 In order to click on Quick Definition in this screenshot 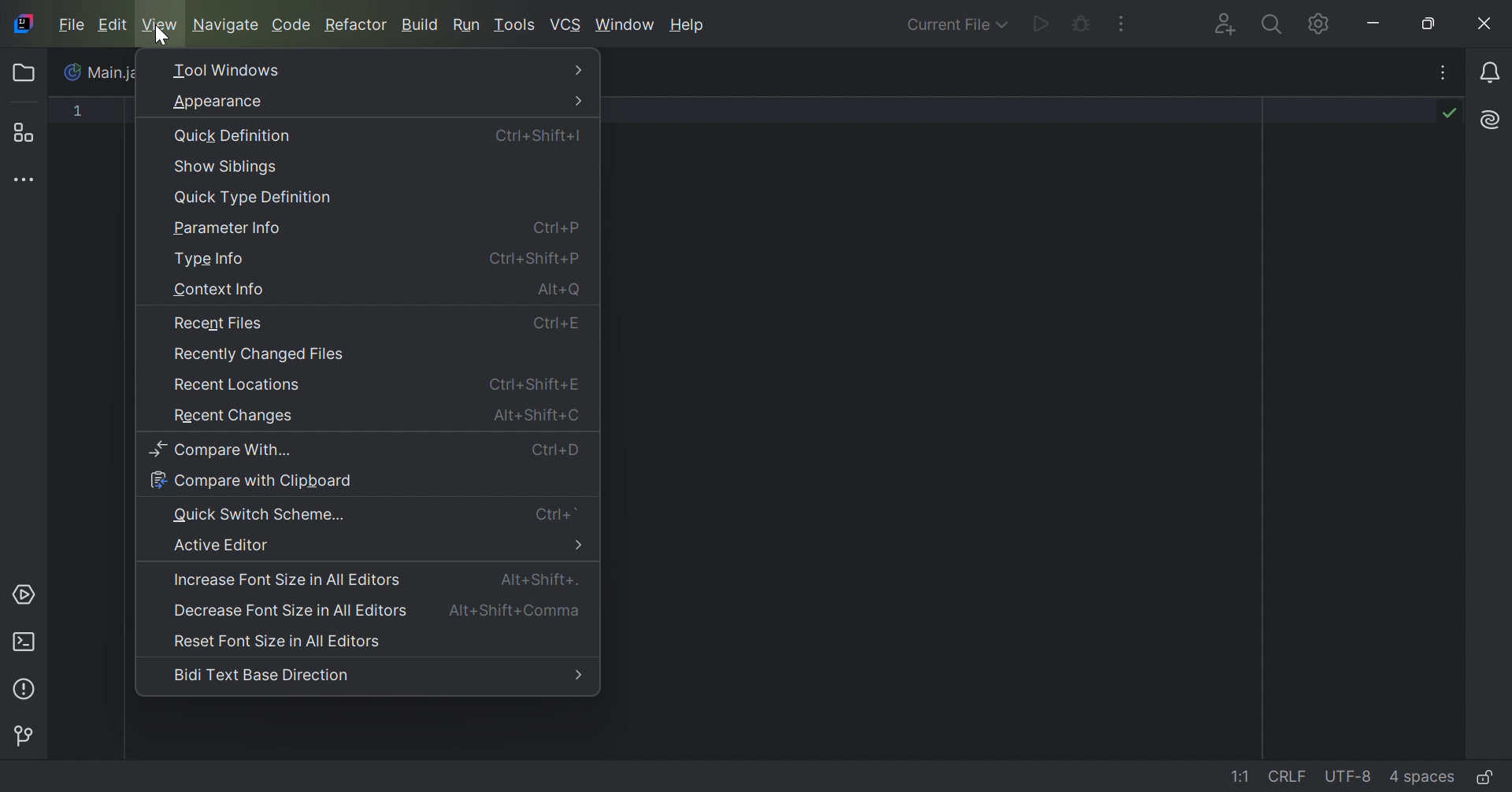, I will do `click(235, 136)`.